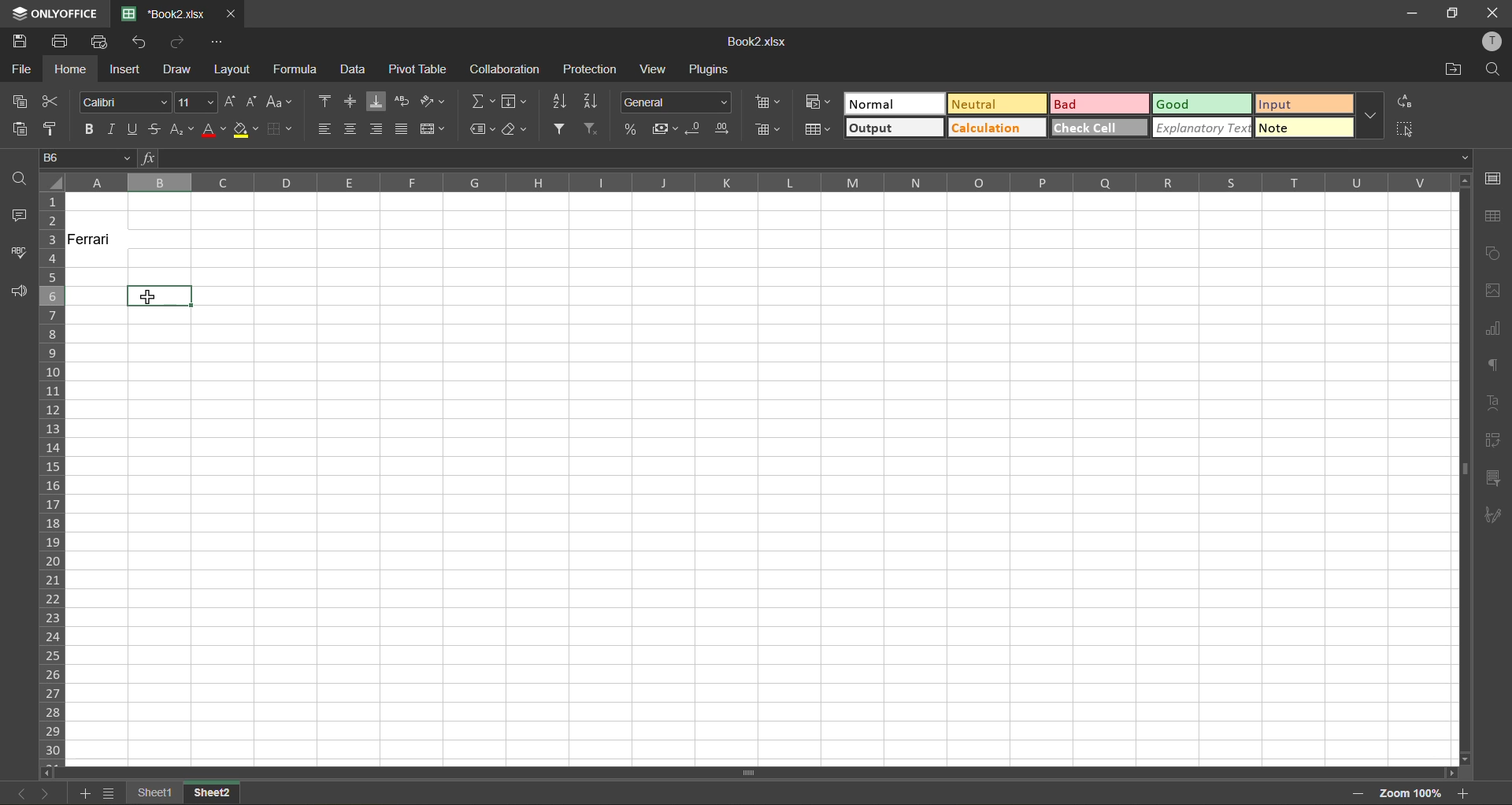  What do you see at coordinates (996, 103) in the screenshot?
I see `neutral` at bounding box center [996, 103].